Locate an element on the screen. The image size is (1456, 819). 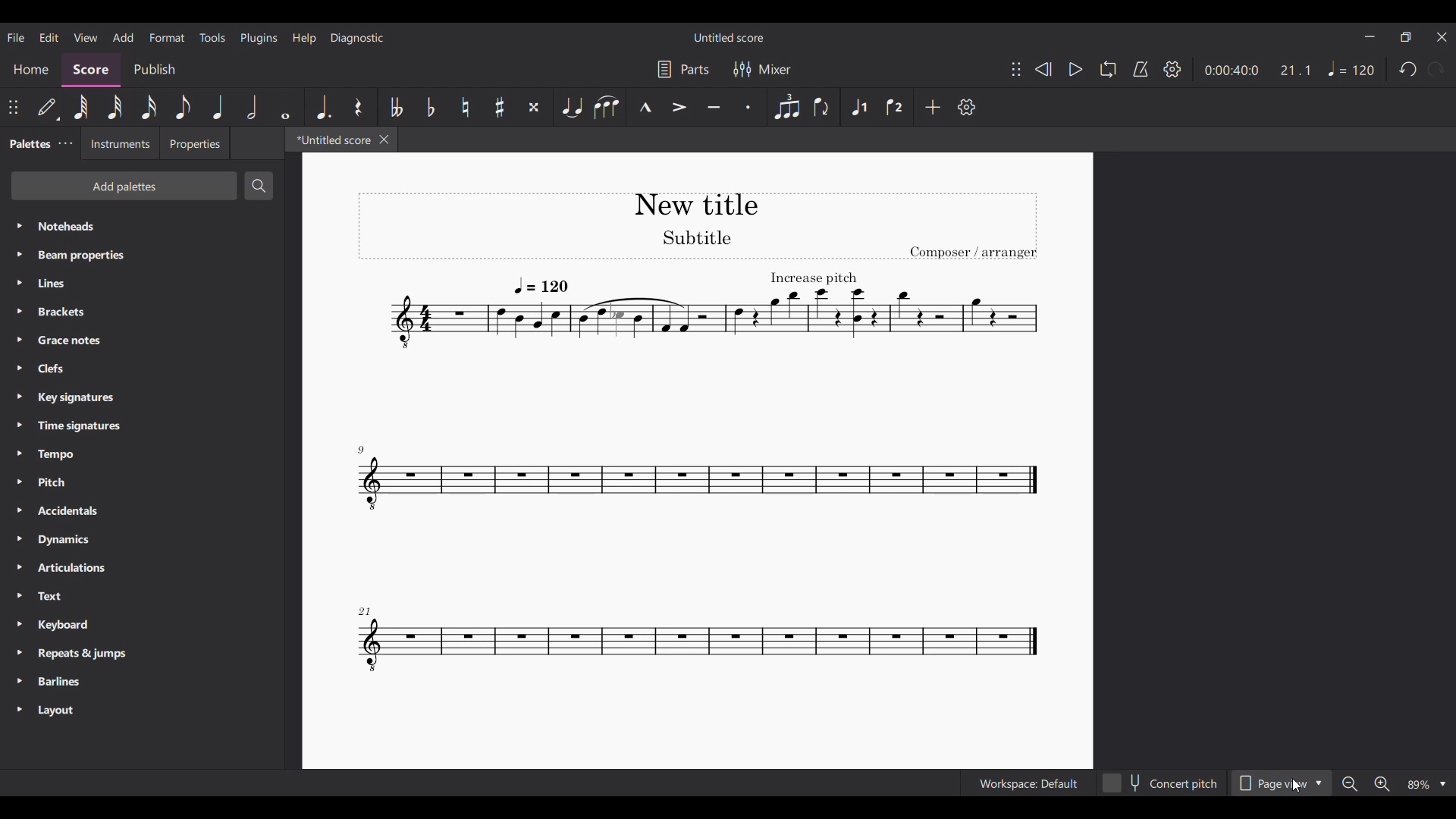
Score duration is located at coordinates (1232, 70).